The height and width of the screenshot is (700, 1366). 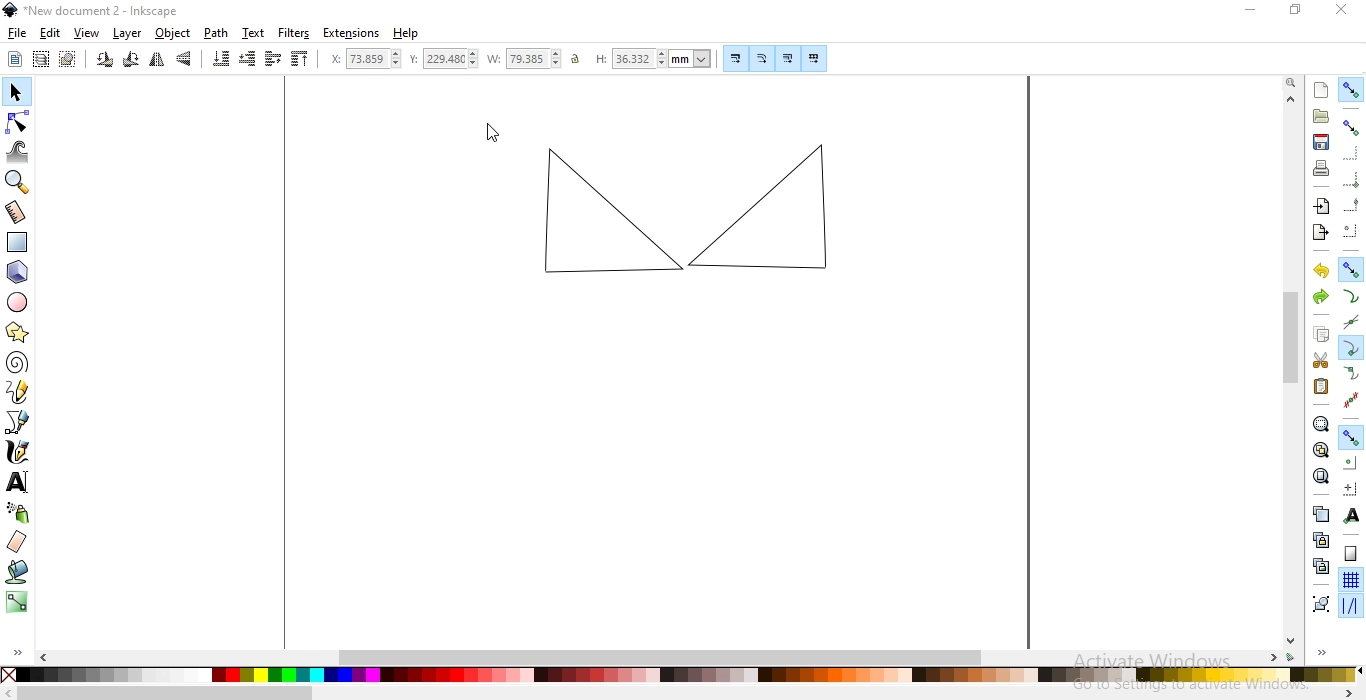 What do you see at coordinates (1317, 539) in the screenshot?
I see `create a clone` at bounding box center [1317, 539].